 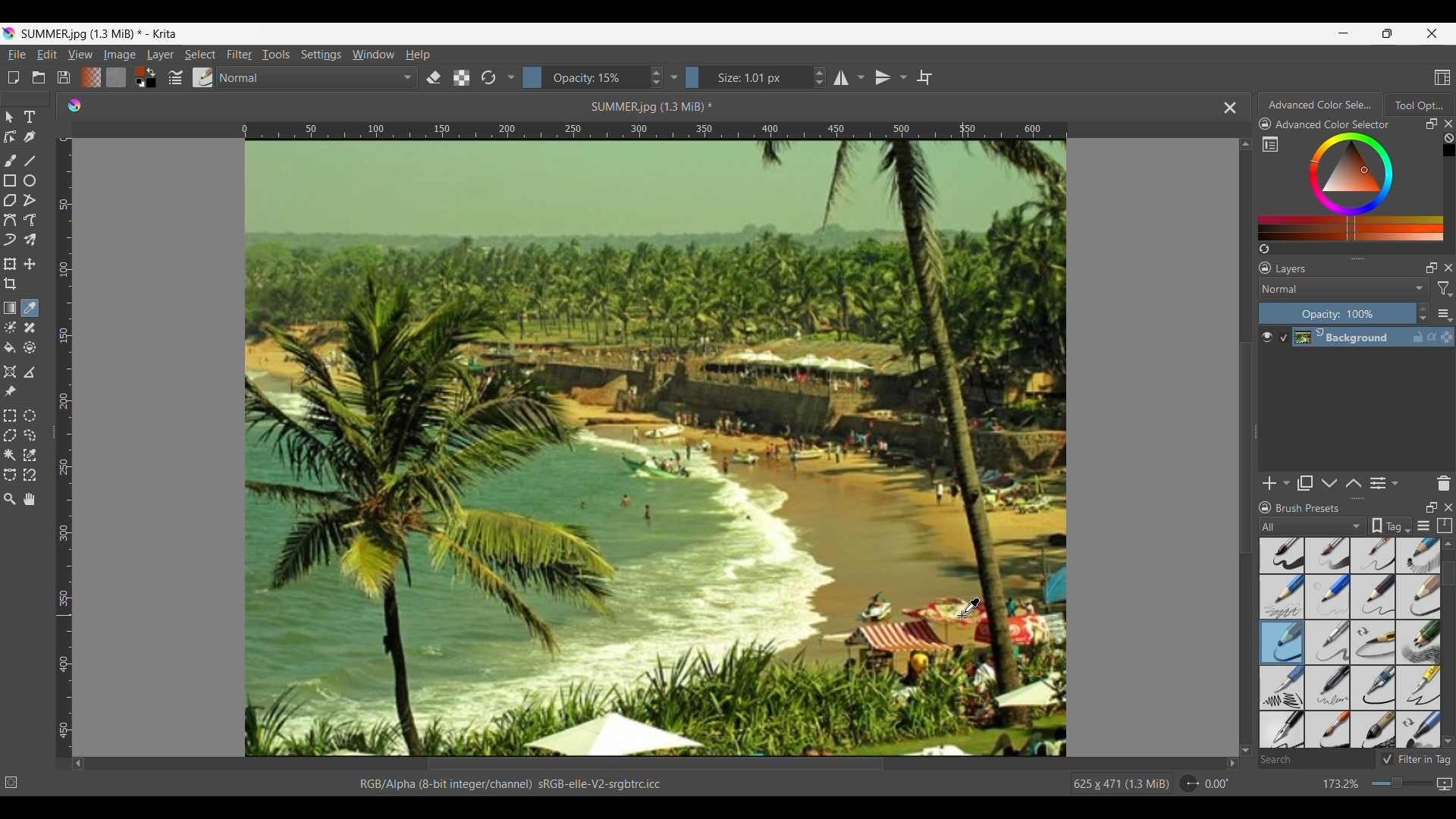 What do you see at coordinates (1353, 483) in the screenshot?
I see `Move layer or mask up` at bounding box center [1353, 483].